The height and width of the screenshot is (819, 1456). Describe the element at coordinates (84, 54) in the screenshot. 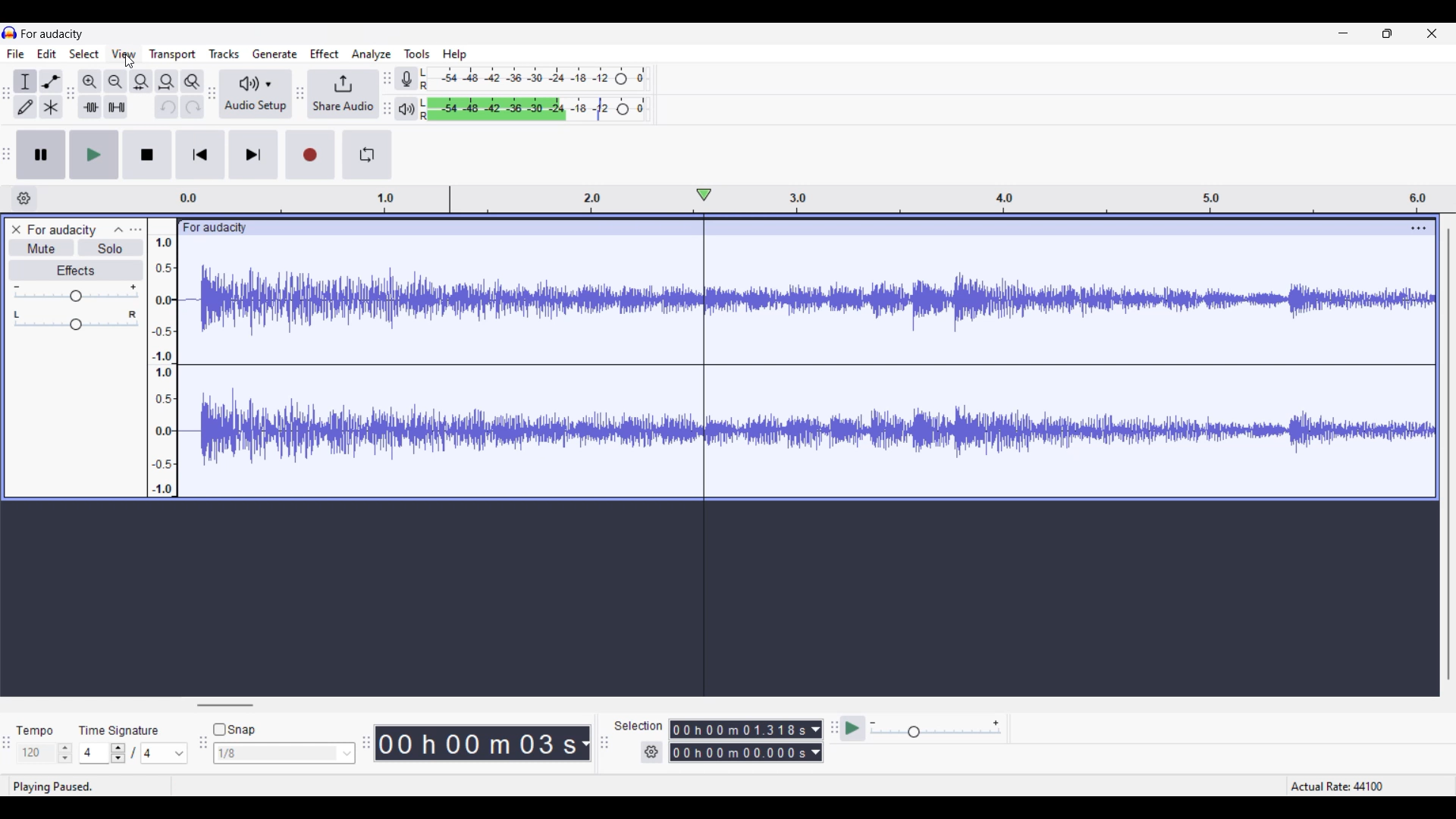

I see `Select menu` at that location.